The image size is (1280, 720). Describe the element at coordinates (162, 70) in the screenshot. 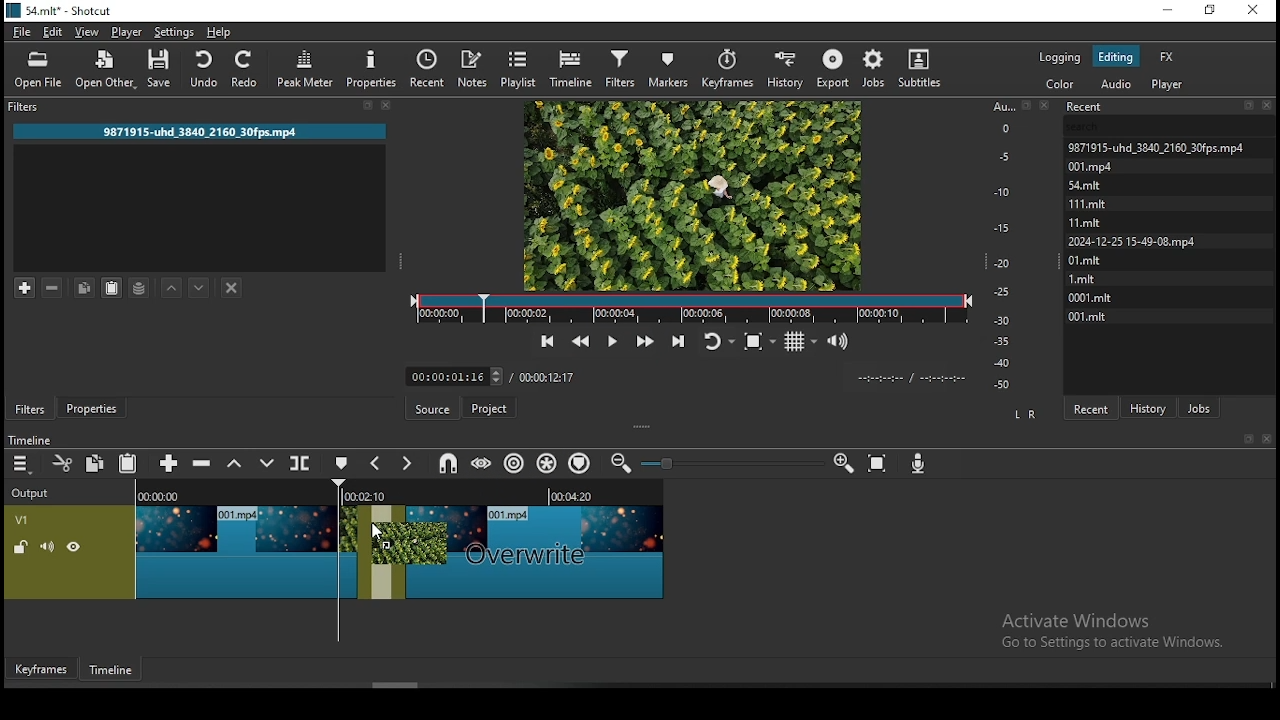

I see `save` at that location.